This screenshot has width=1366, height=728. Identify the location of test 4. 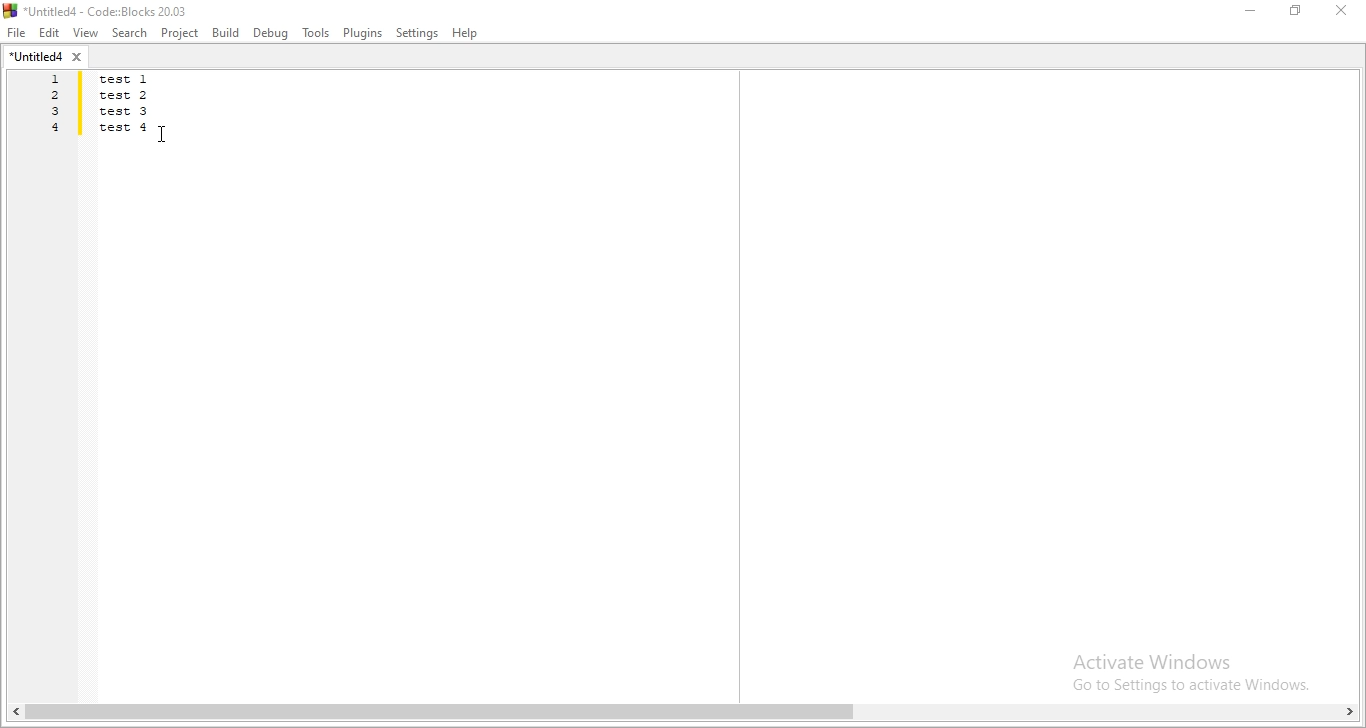
(126, 127).